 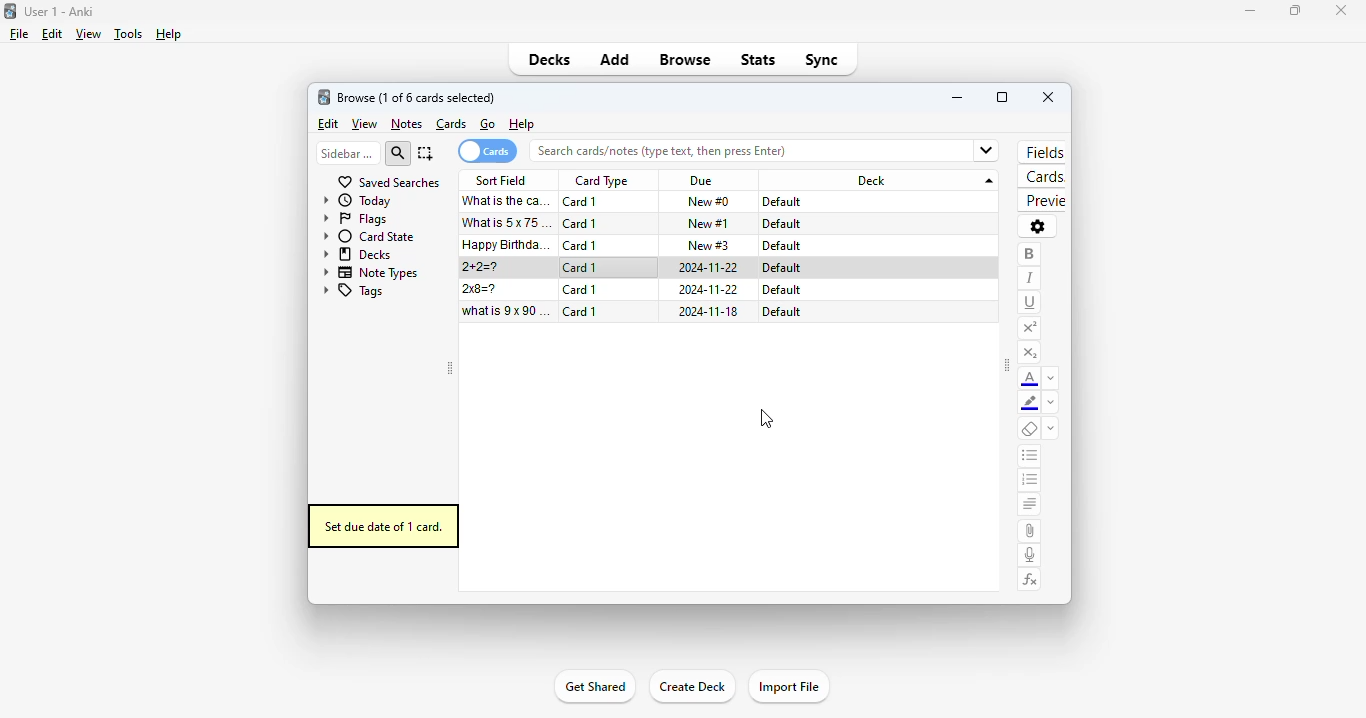 I want to click on text color, so click(x=1030, y=379).